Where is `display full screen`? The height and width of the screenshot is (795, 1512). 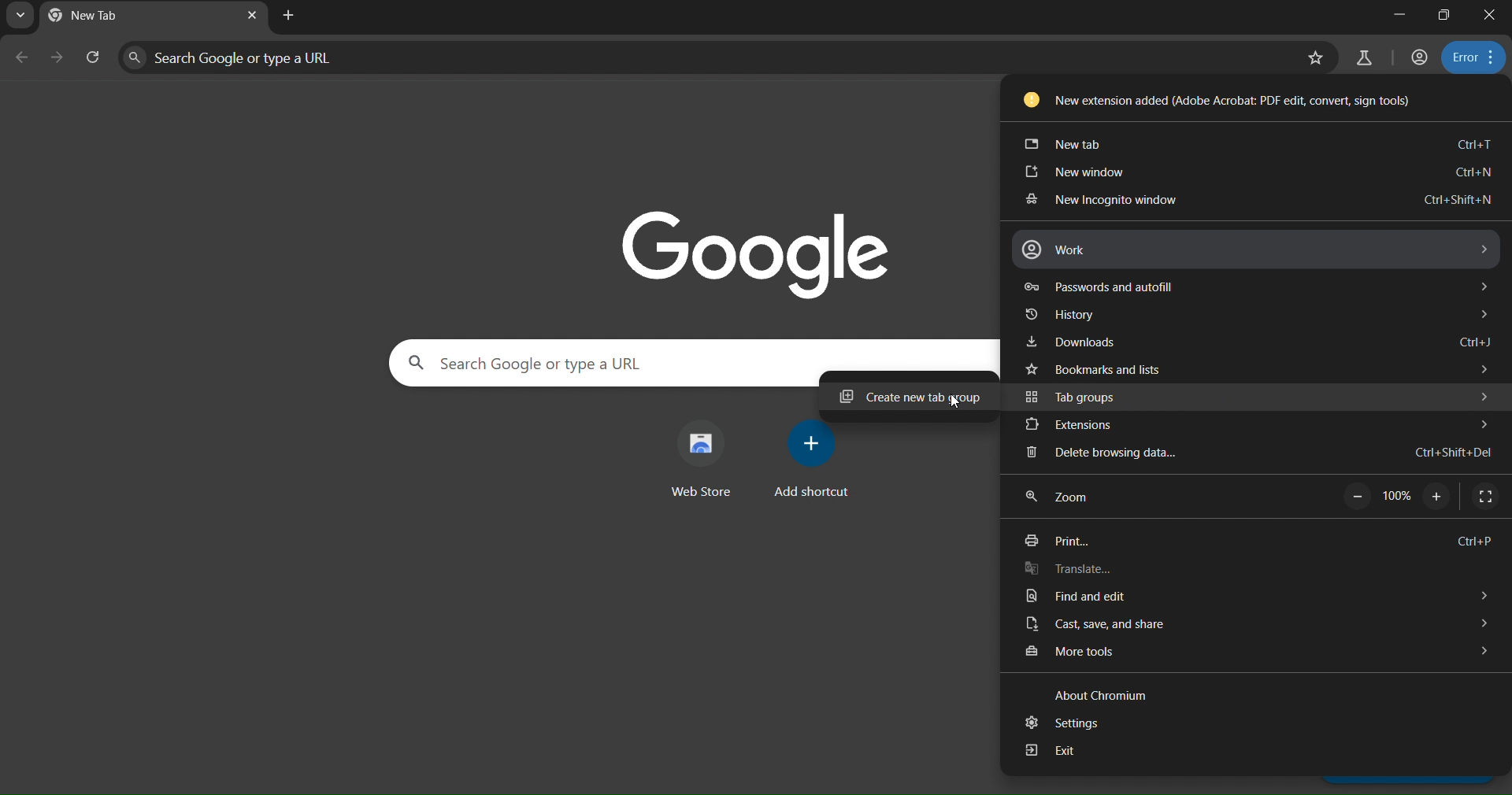
display full screen is located at coordinates (1484, 497).